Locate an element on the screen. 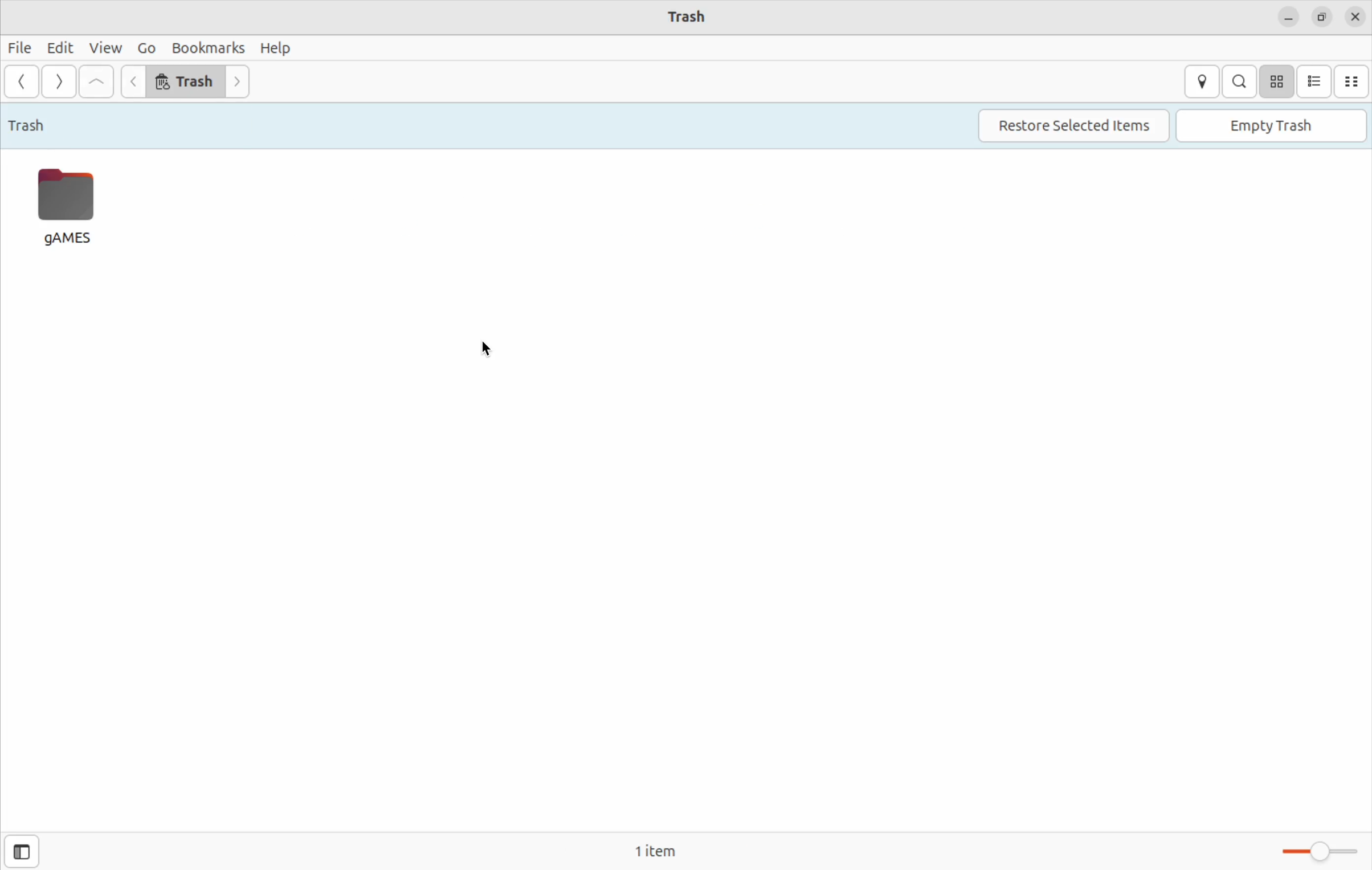  games is located at coordinates (69, 207).